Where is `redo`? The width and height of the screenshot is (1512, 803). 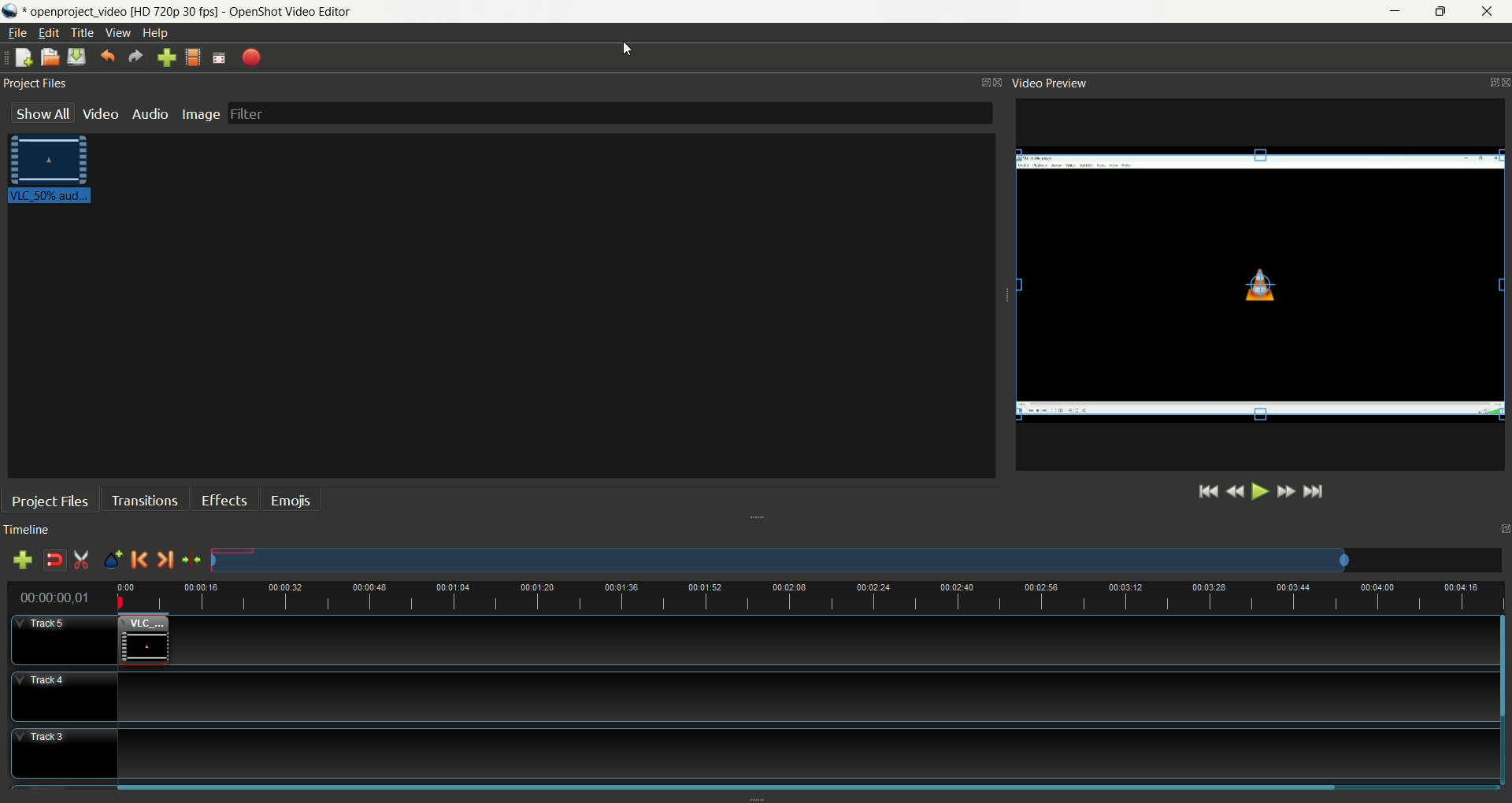 redo is located at coordinates (133, 57).